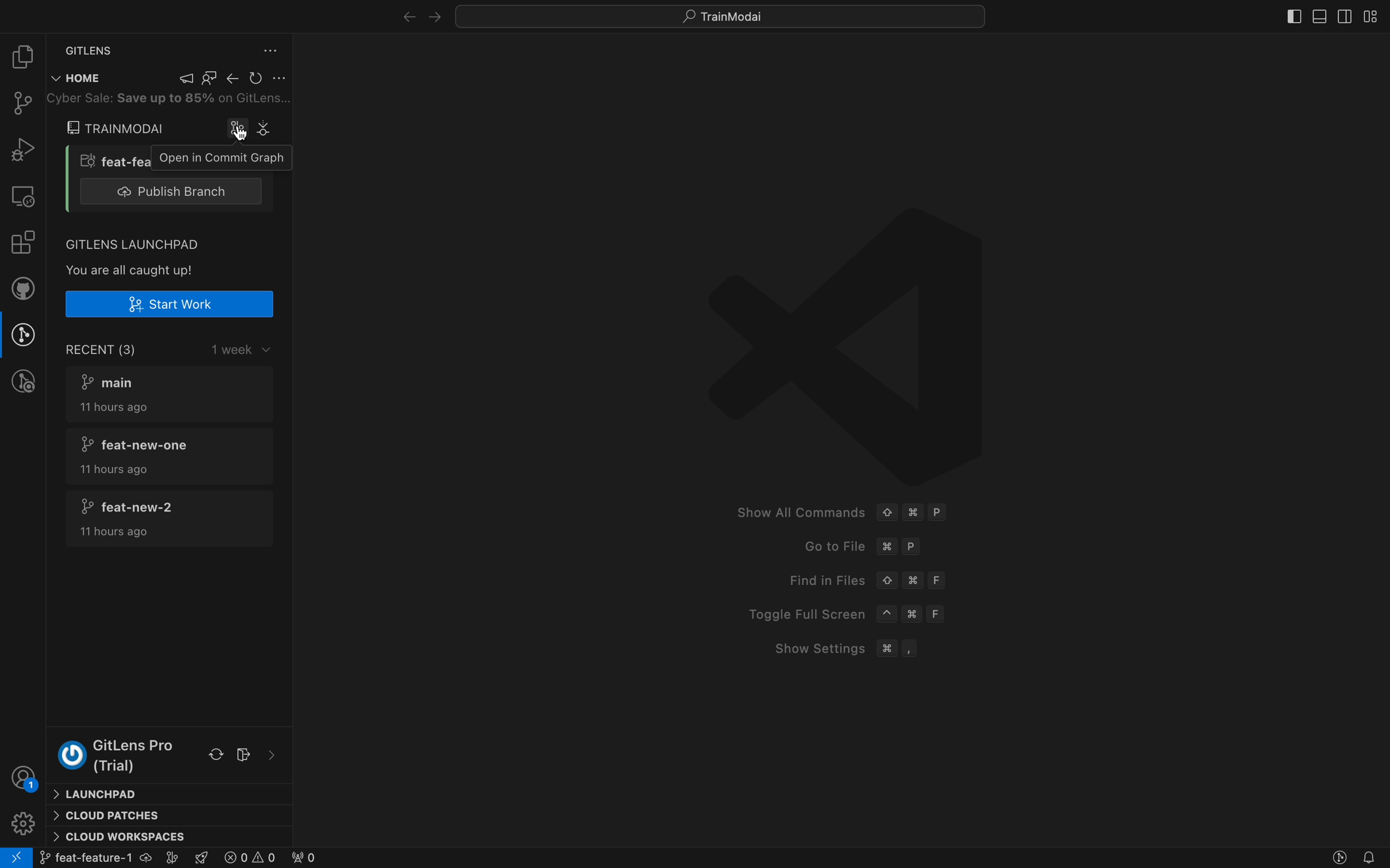  Describe the element at coordinates (22, 823) in the screenshot. I see `Settings ` at that location.